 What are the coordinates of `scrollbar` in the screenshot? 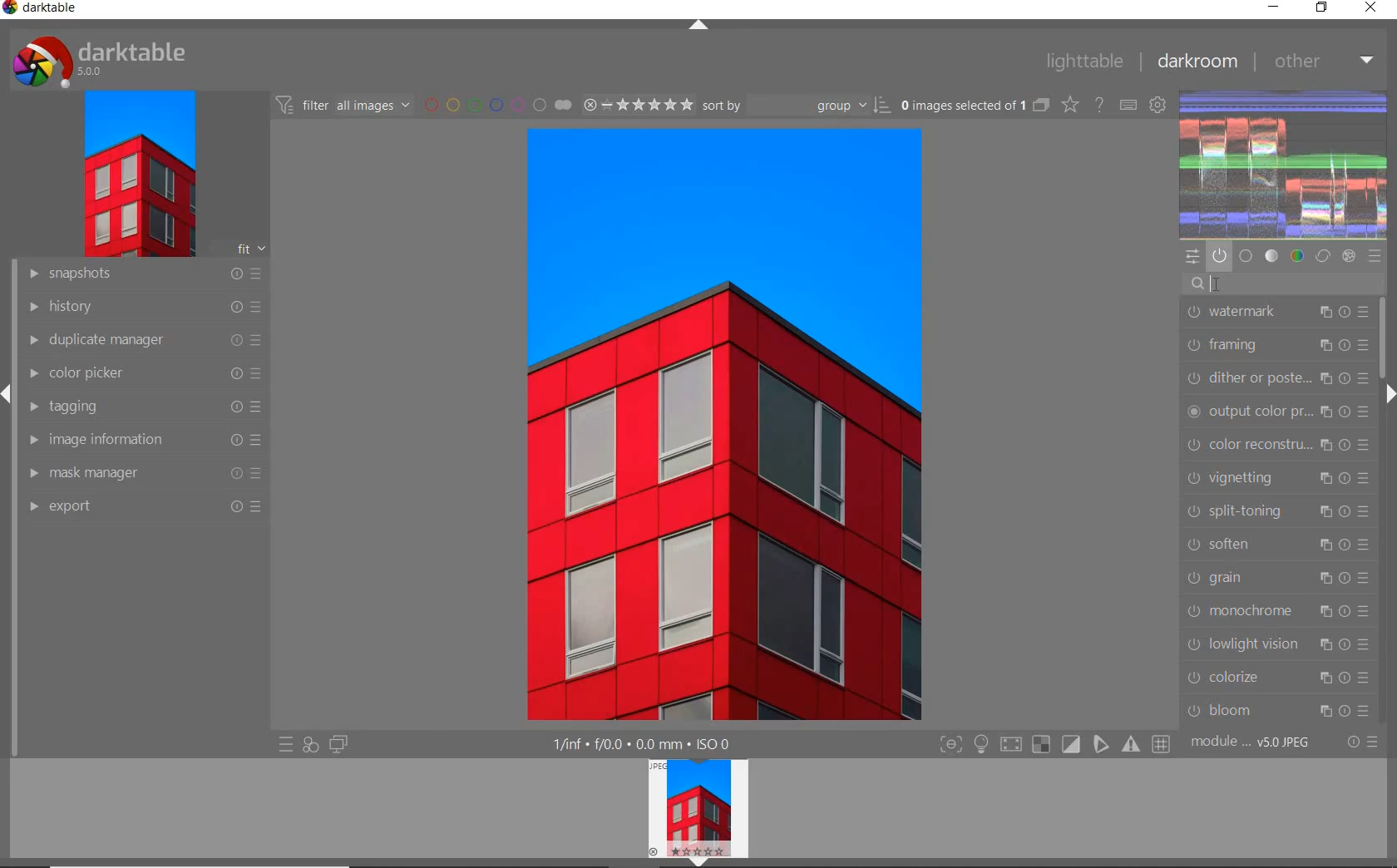 It's located at (1381, 336).